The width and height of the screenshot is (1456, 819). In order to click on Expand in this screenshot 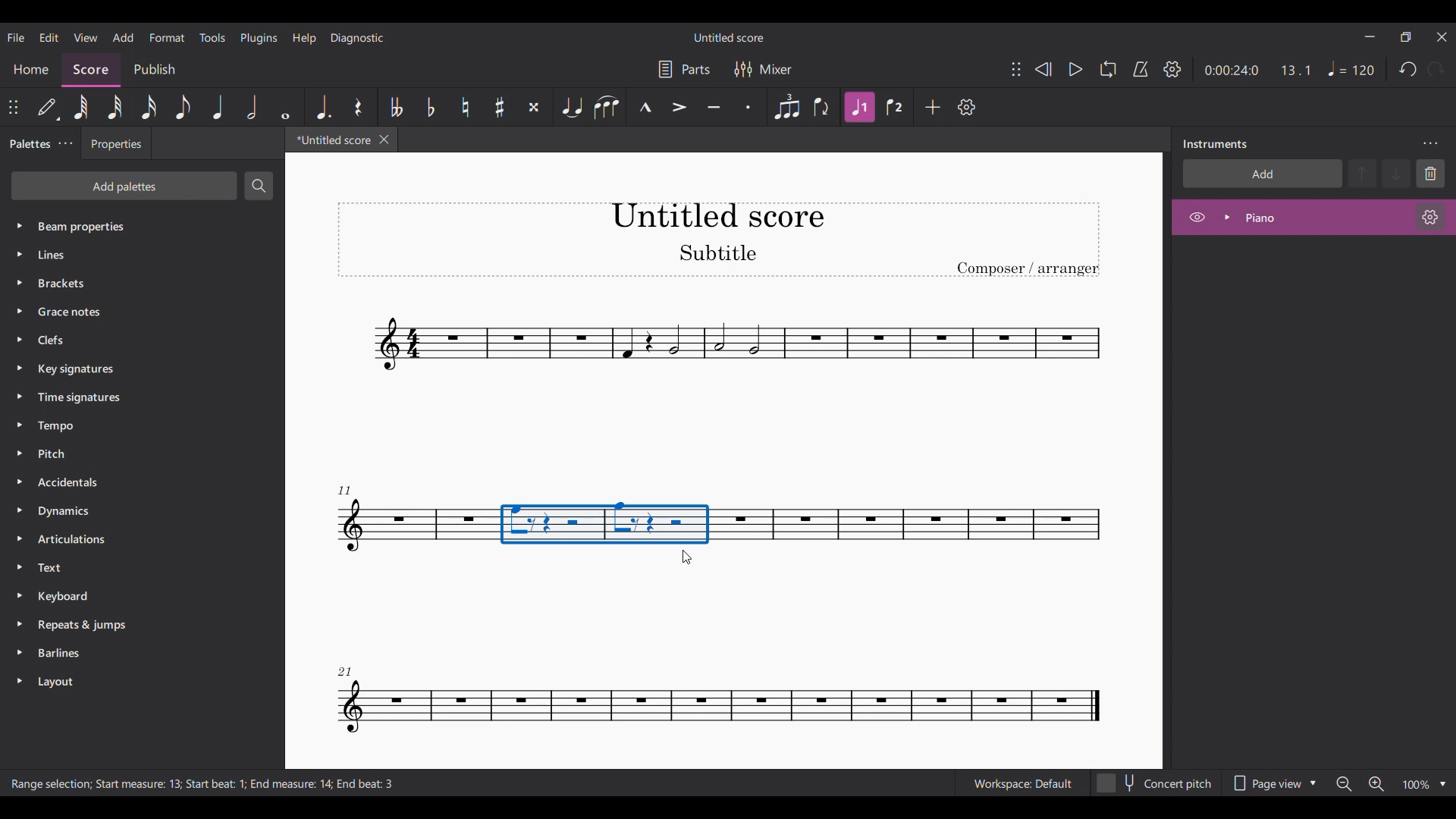, I will do `click(1227, 217)`.